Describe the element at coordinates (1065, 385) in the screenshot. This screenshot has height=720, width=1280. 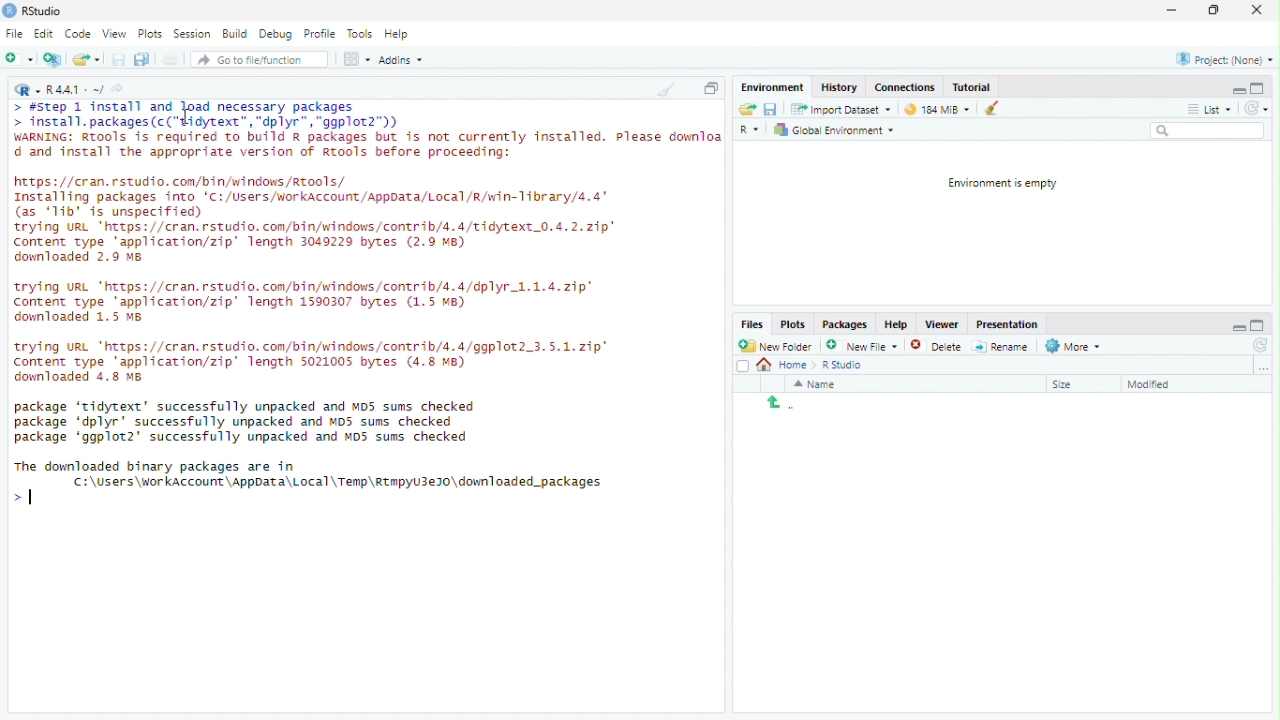
I see `Size` at that location.